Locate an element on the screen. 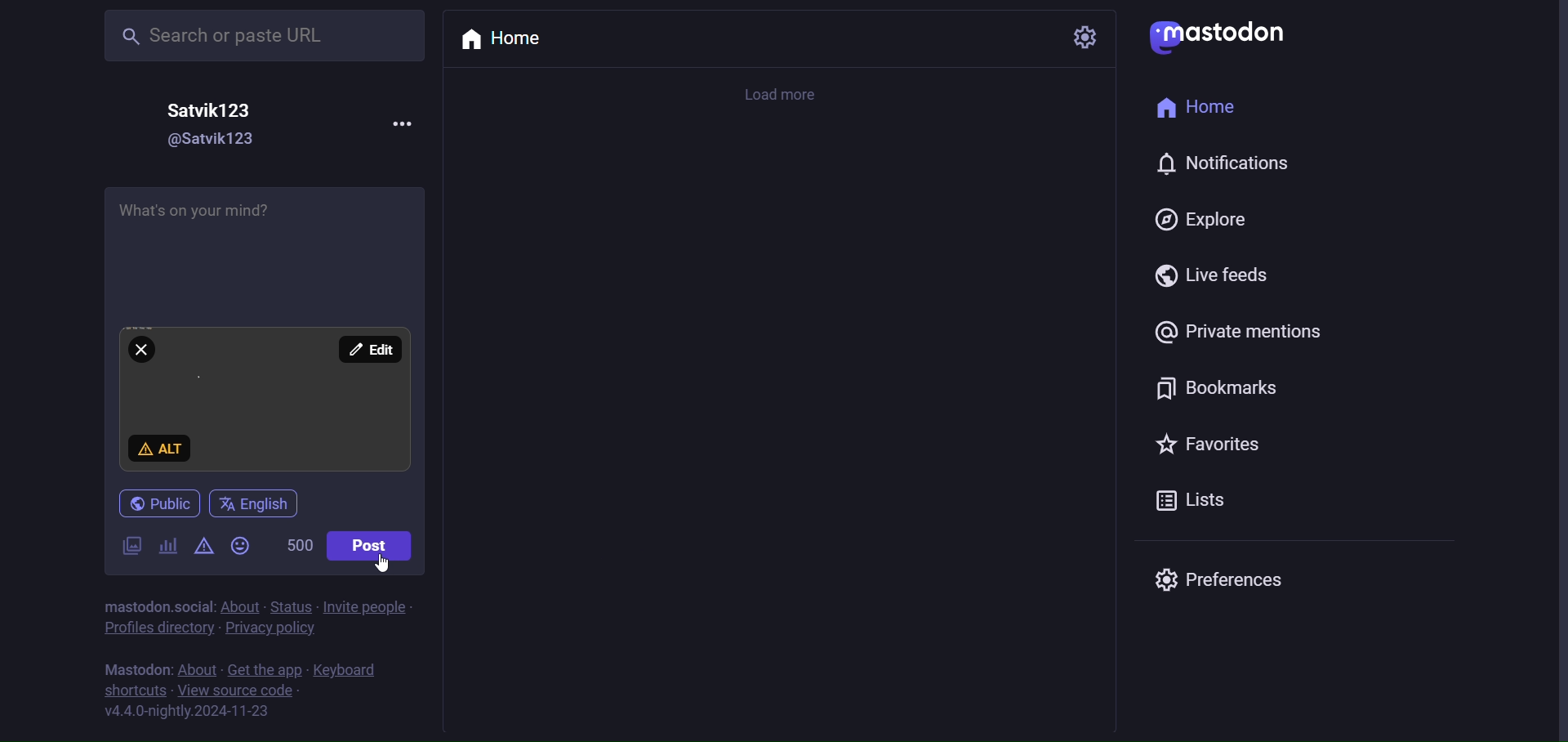 The width and height of the screenshot is (1568, 742). close preview is located at coordinates (141, 350).